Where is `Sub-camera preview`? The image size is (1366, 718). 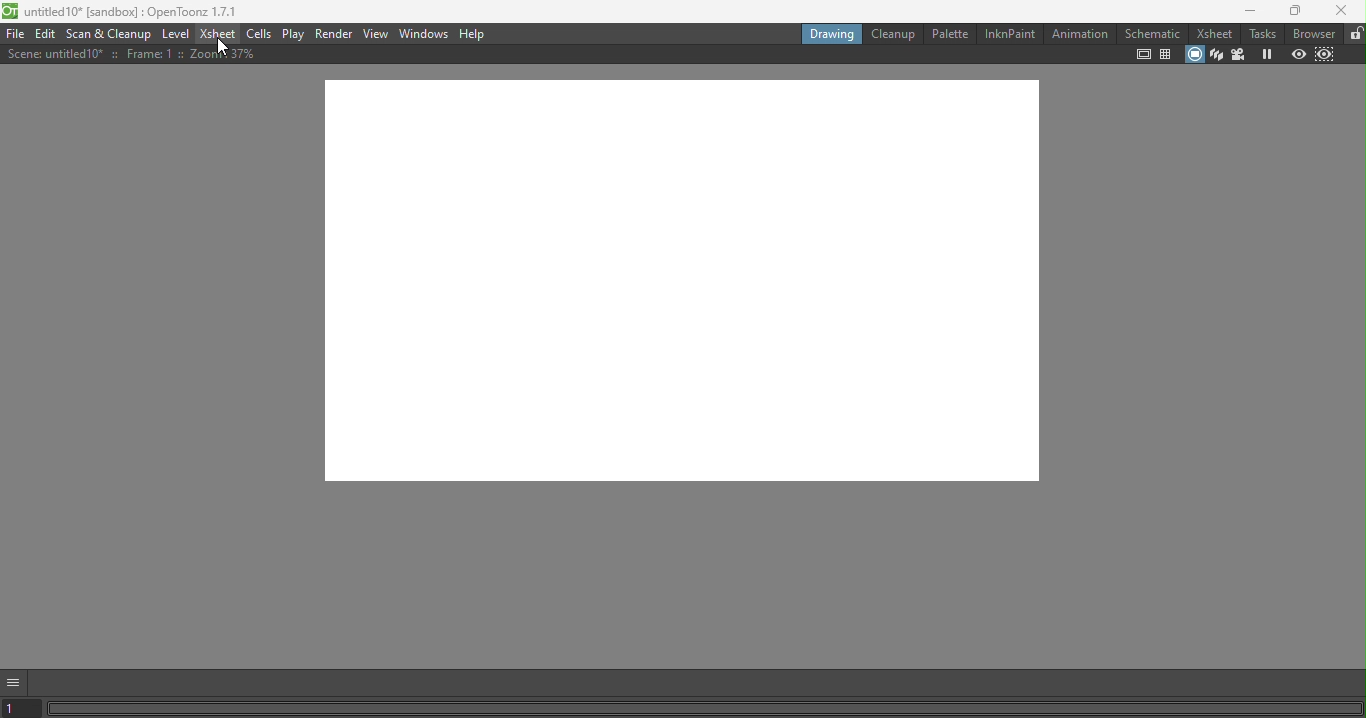
Sub-camera preview is located at coordinates (1326, 53).